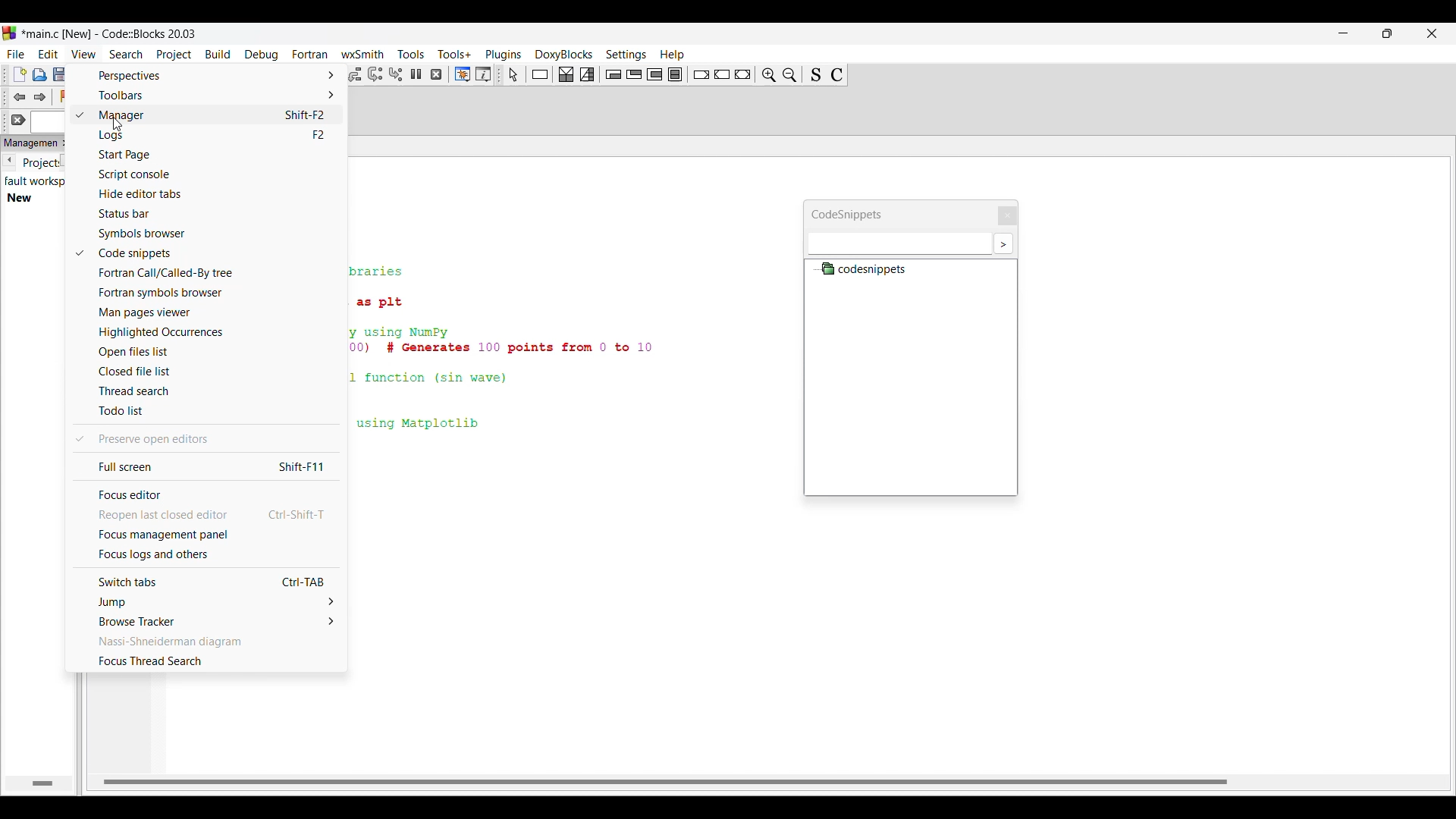 The width and height of the screenshot is (1456, 819). What do you see at coordinates (215, 293) in the screenshot?
I see `Fortran symbols browser` at bounding box center [215, 293].